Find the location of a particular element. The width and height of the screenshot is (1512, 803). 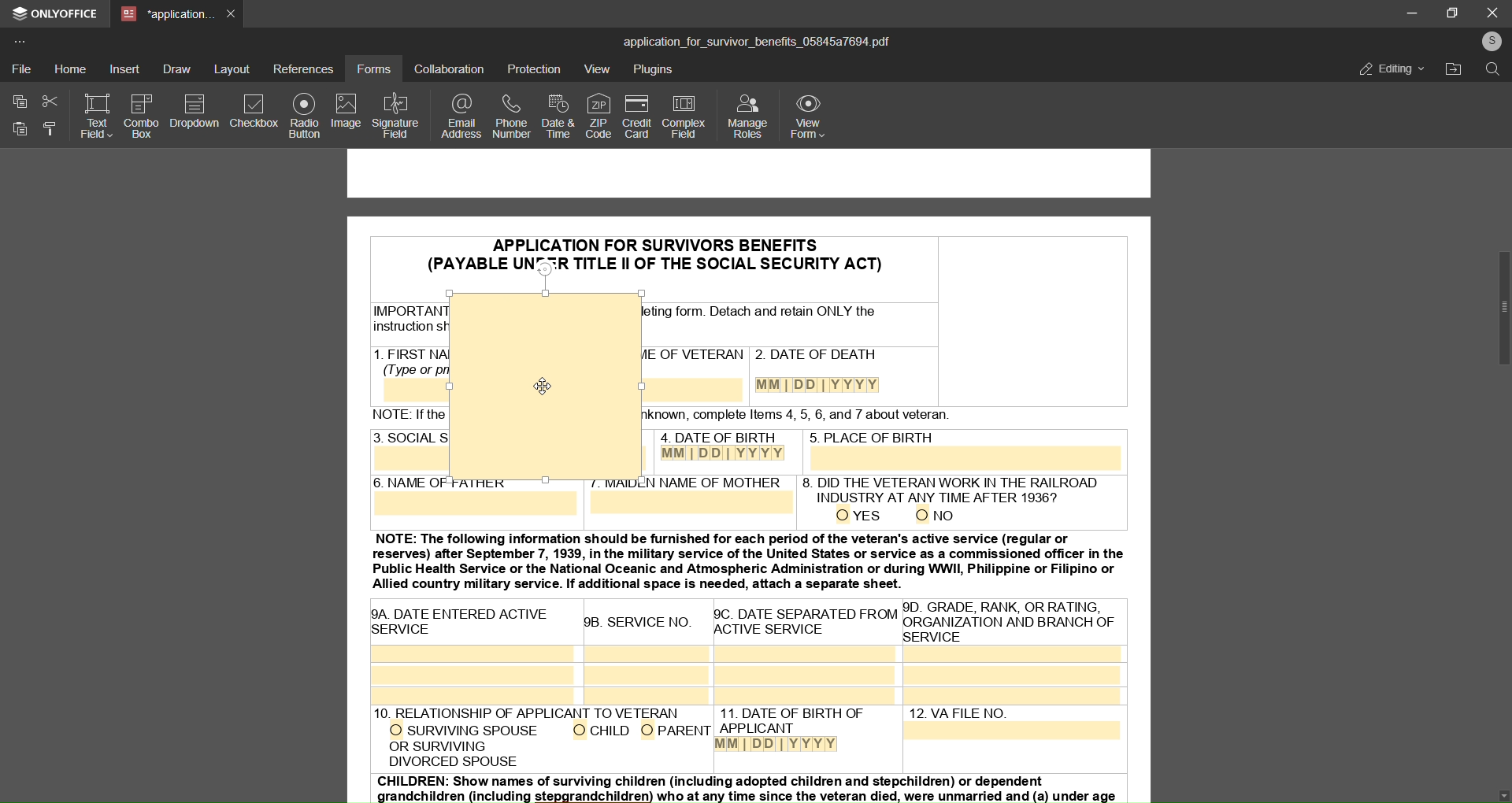

manage roles is located at coordinates (747, 117).